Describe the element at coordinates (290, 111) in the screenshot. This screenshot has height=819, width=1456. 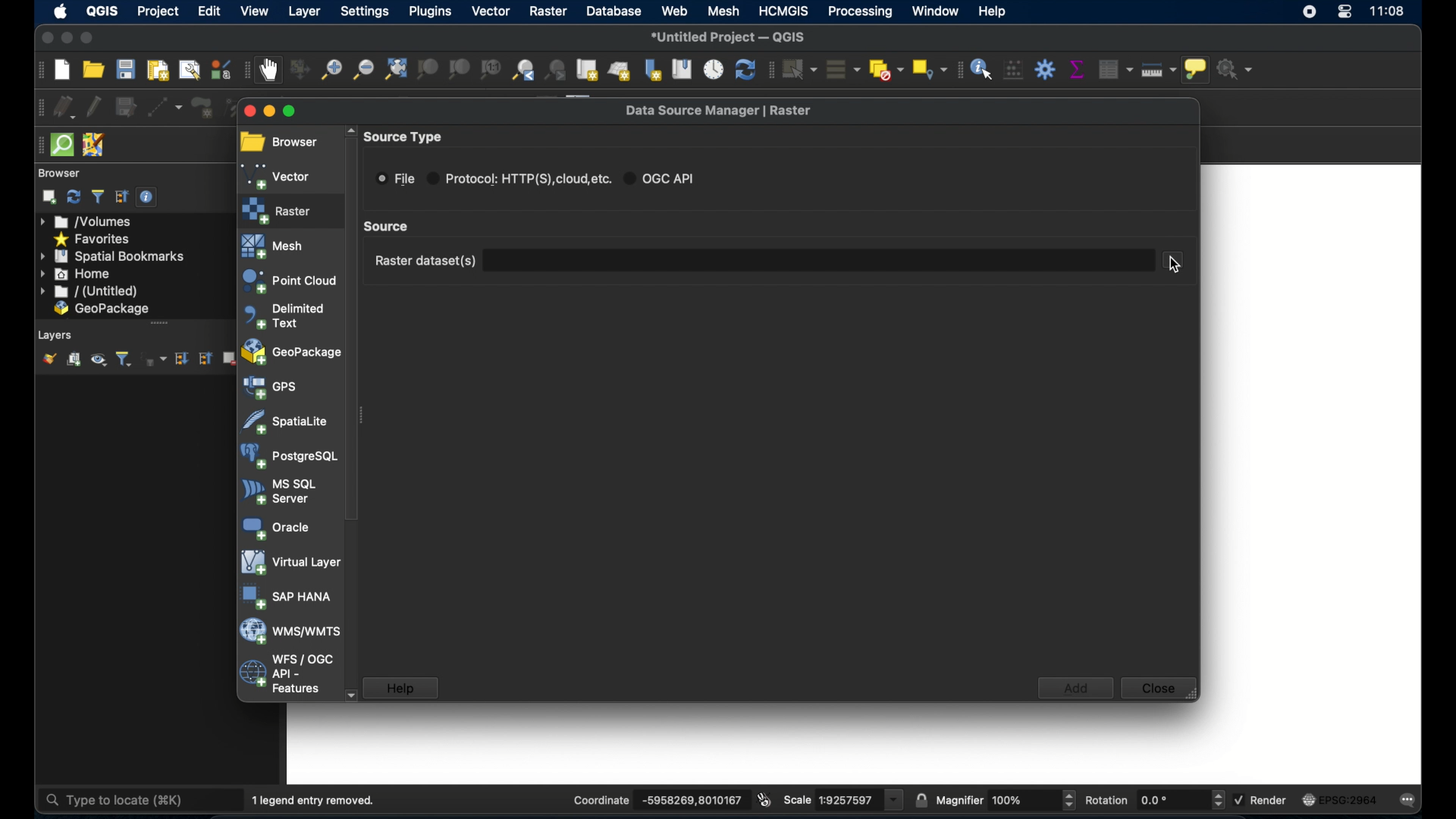
I see `maximize` at that location.